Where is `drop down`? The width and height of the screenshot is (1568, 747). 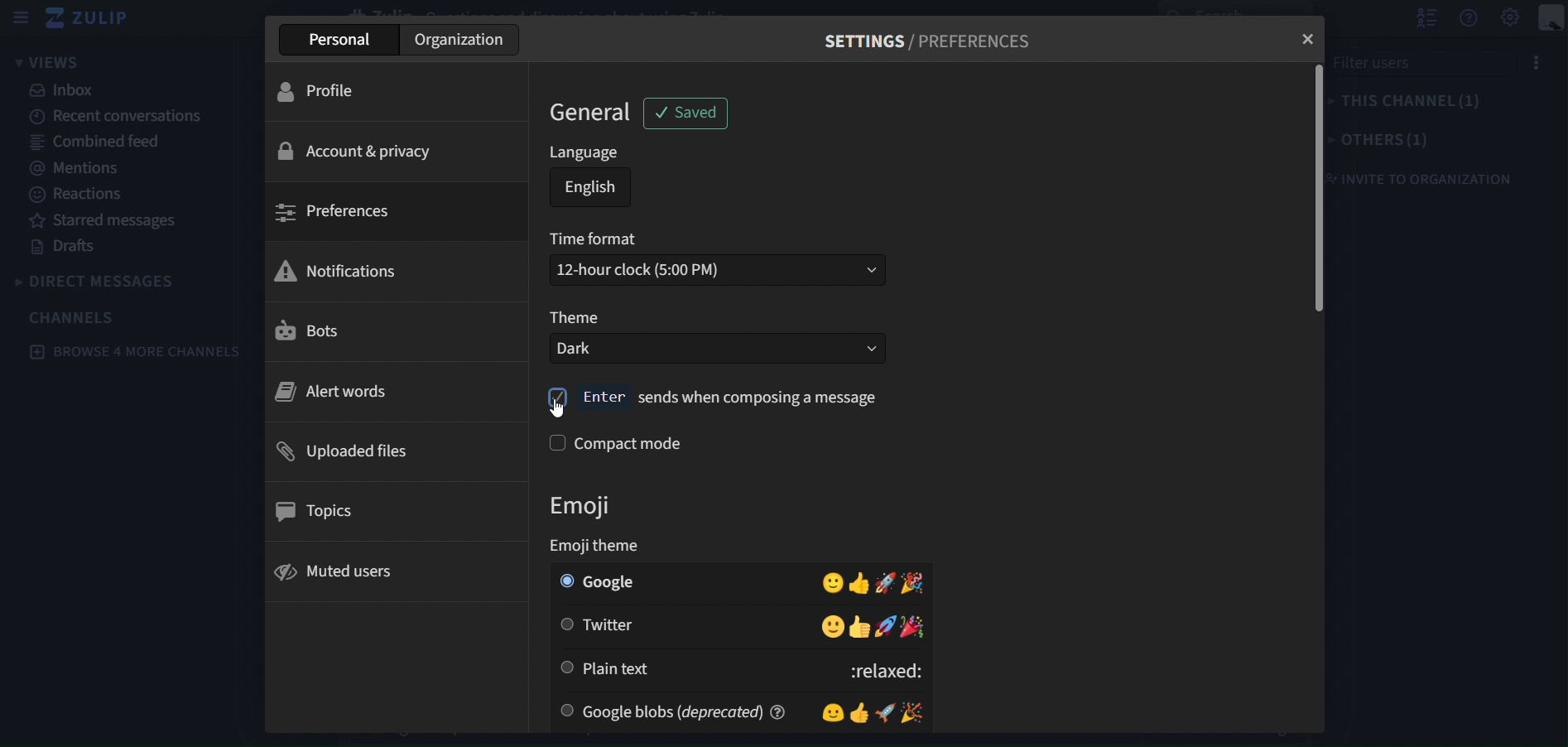
drop down is located at coordinates (860, 349).